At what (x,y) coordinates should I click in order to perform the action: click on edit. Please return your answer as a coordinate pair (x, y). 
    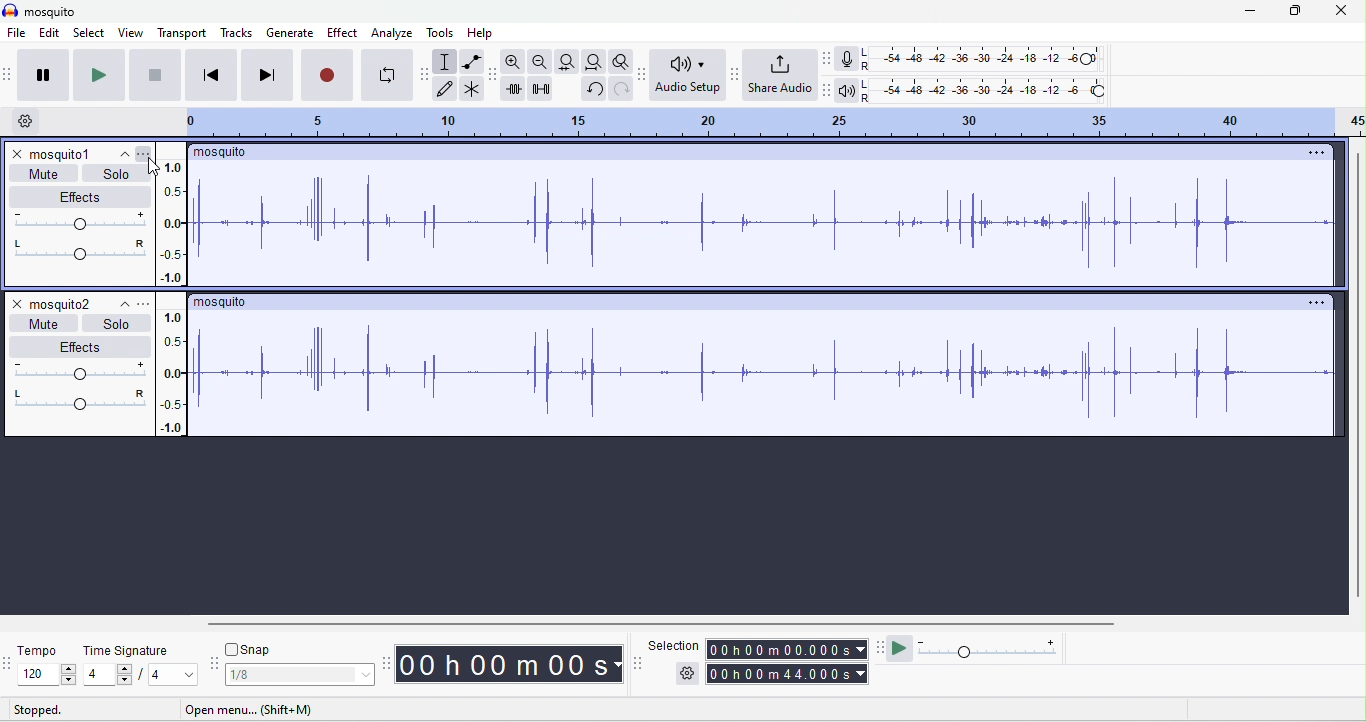
    Looking at the image, I should click on (49, 34).